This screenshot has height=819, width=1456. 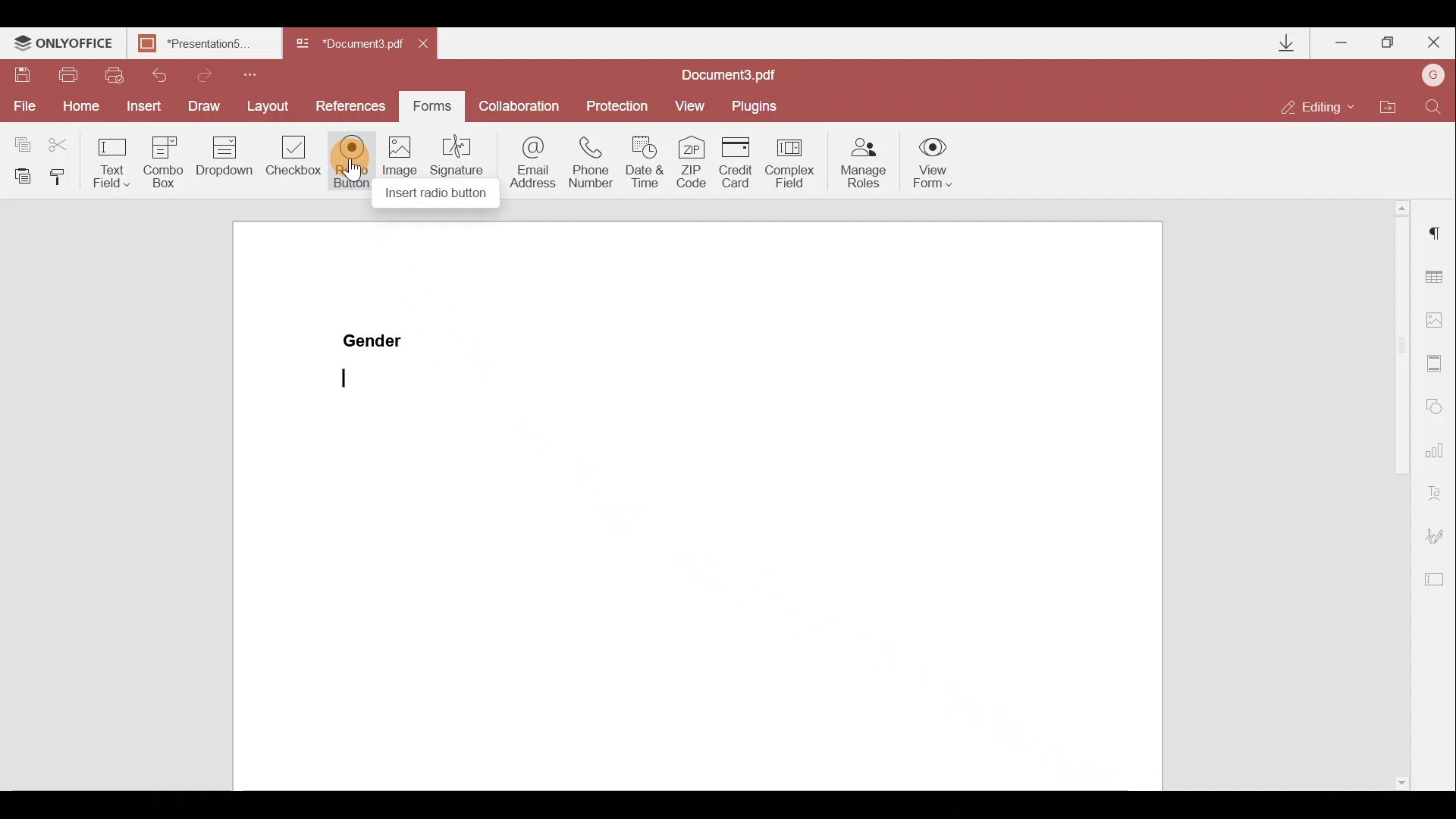 I want to click on Copy, so click(x=19, y=140).